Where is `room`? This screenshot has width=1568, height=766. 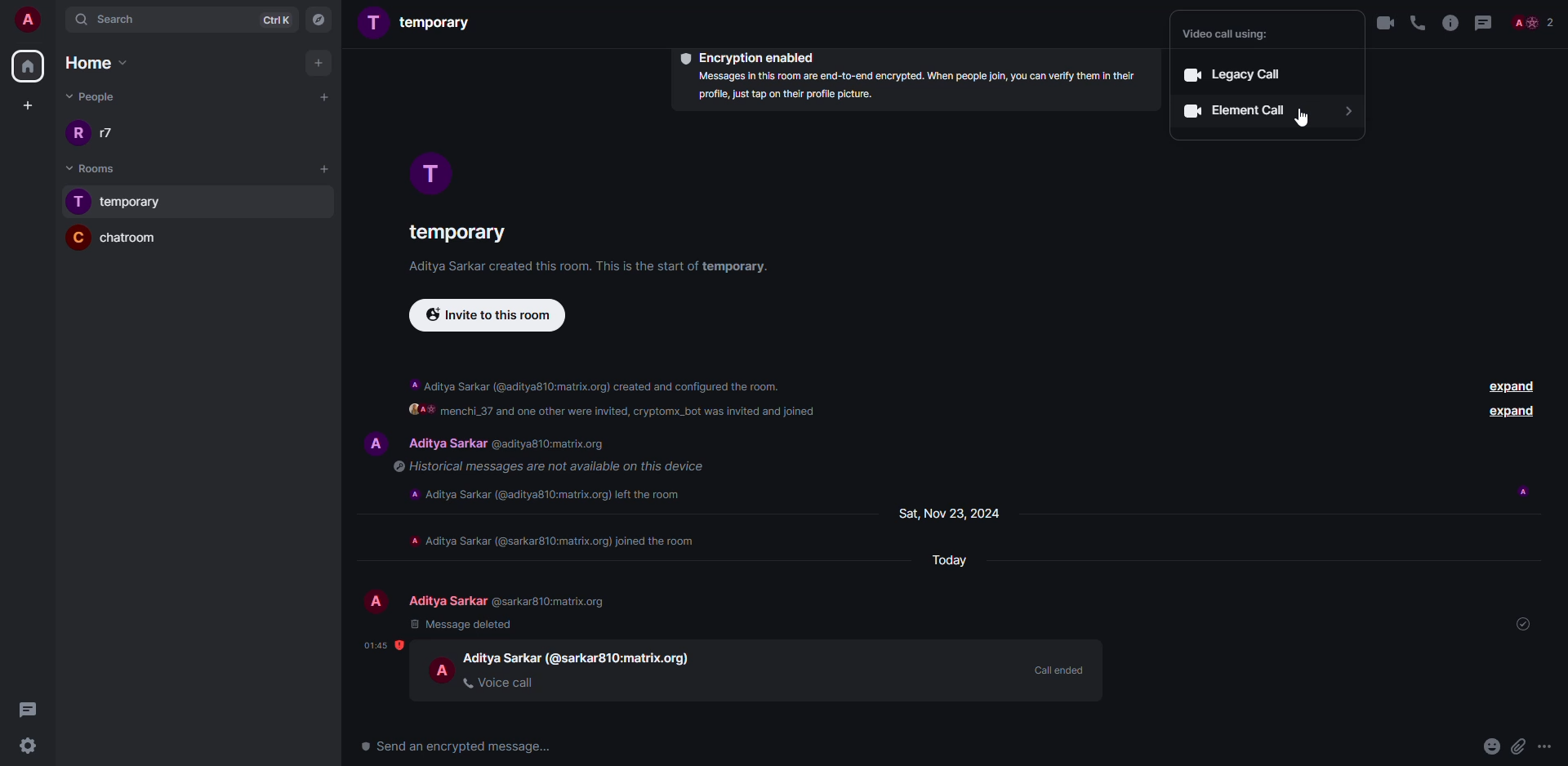 room is located at coordinates (439, 21).